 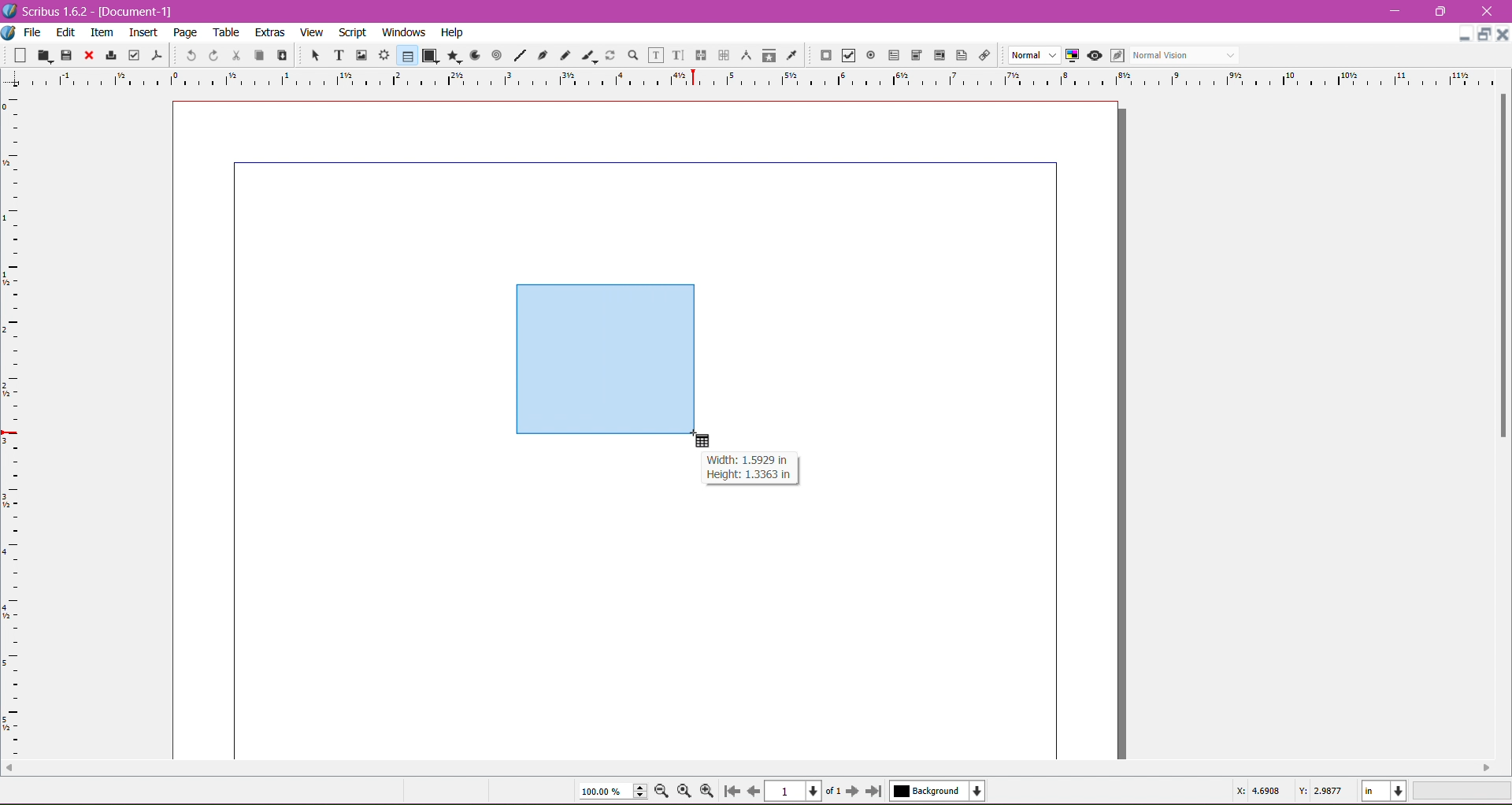 What do you see at coordinates (678, 55) in the screenshot?
I see `Edit Text with Story` at bounding box center [678, 55].